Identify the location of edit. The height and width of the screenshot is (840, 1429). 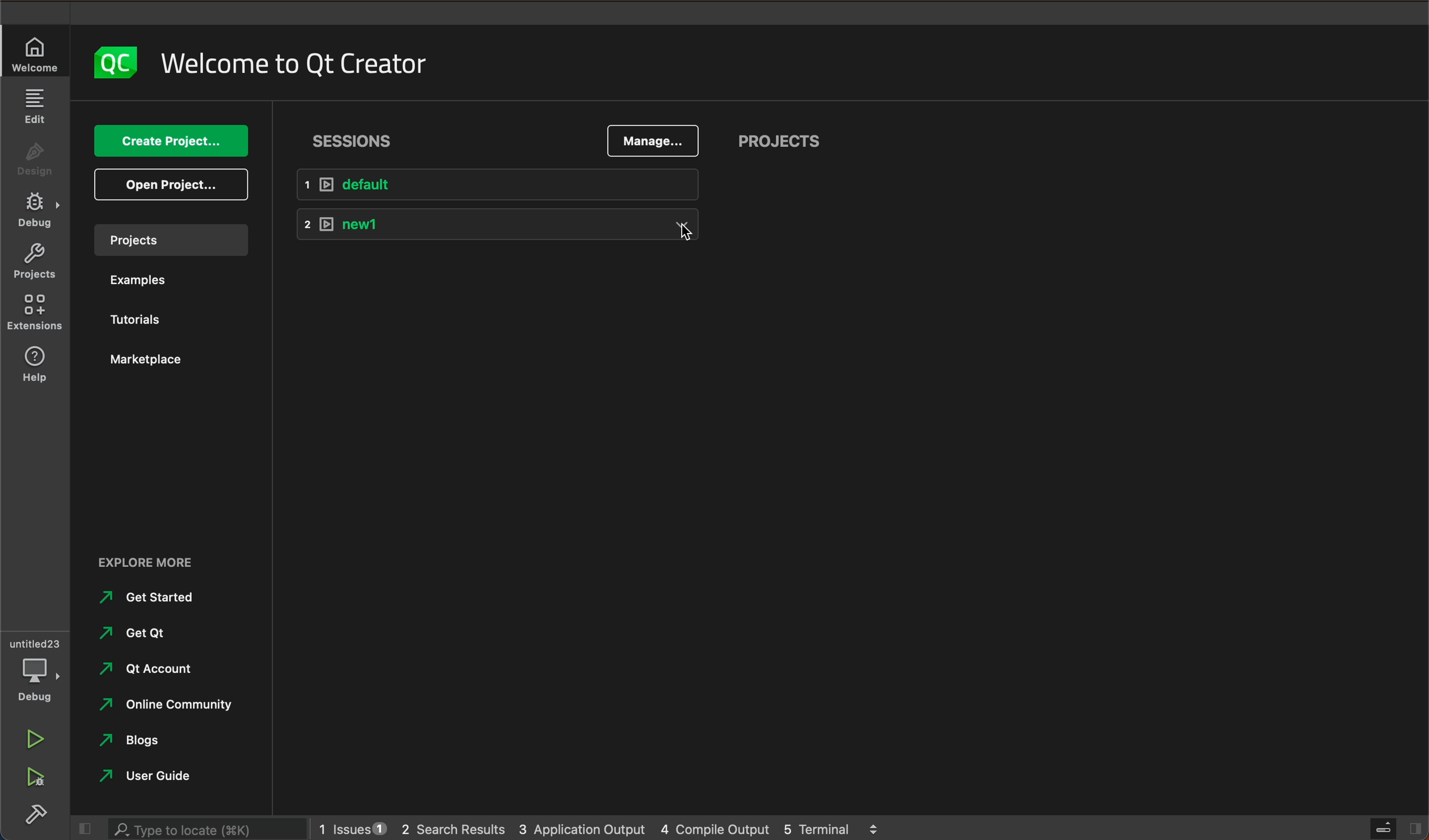
(36, 108).